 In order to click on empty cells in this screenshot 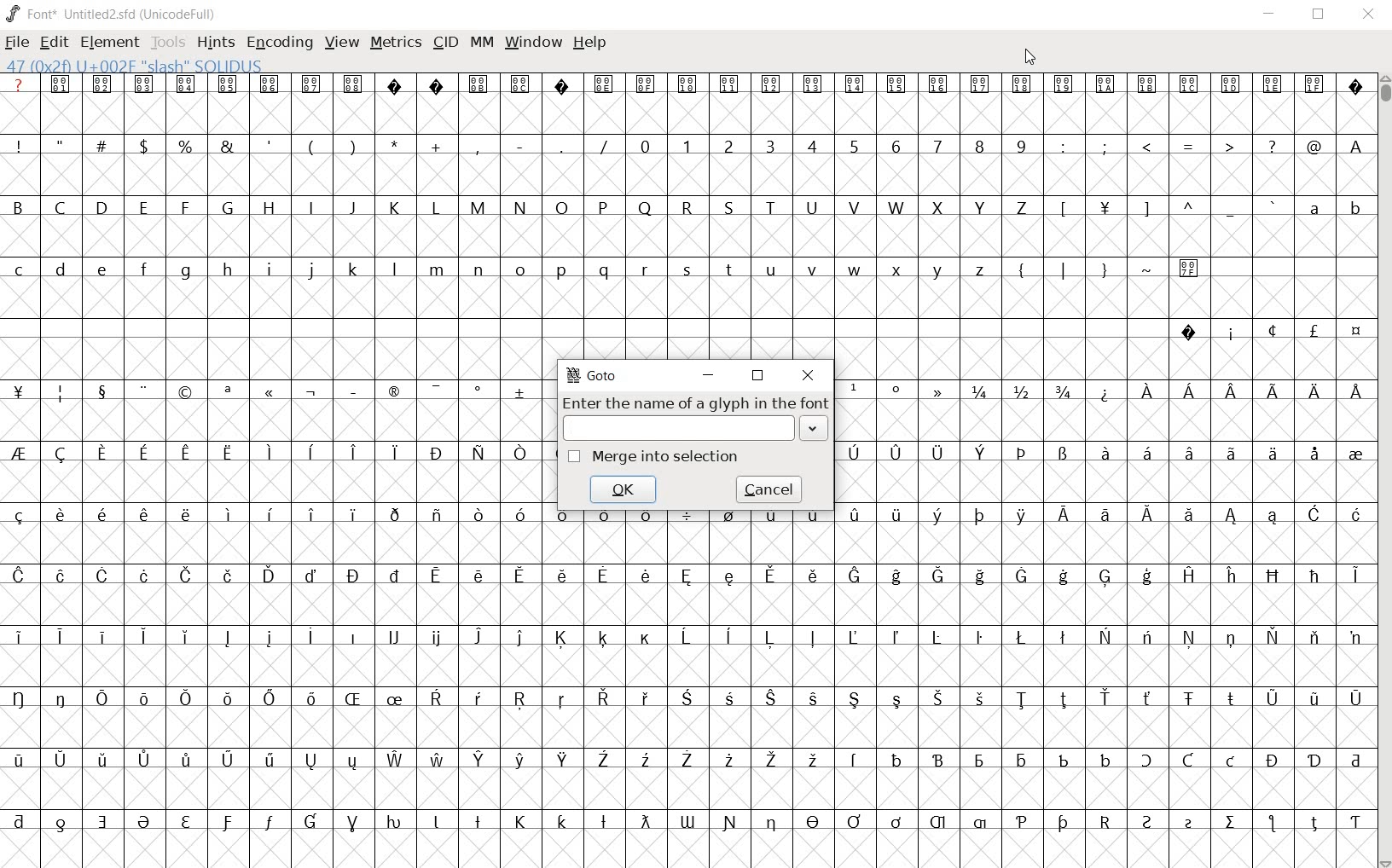, I will do `click(1099, 478)`.